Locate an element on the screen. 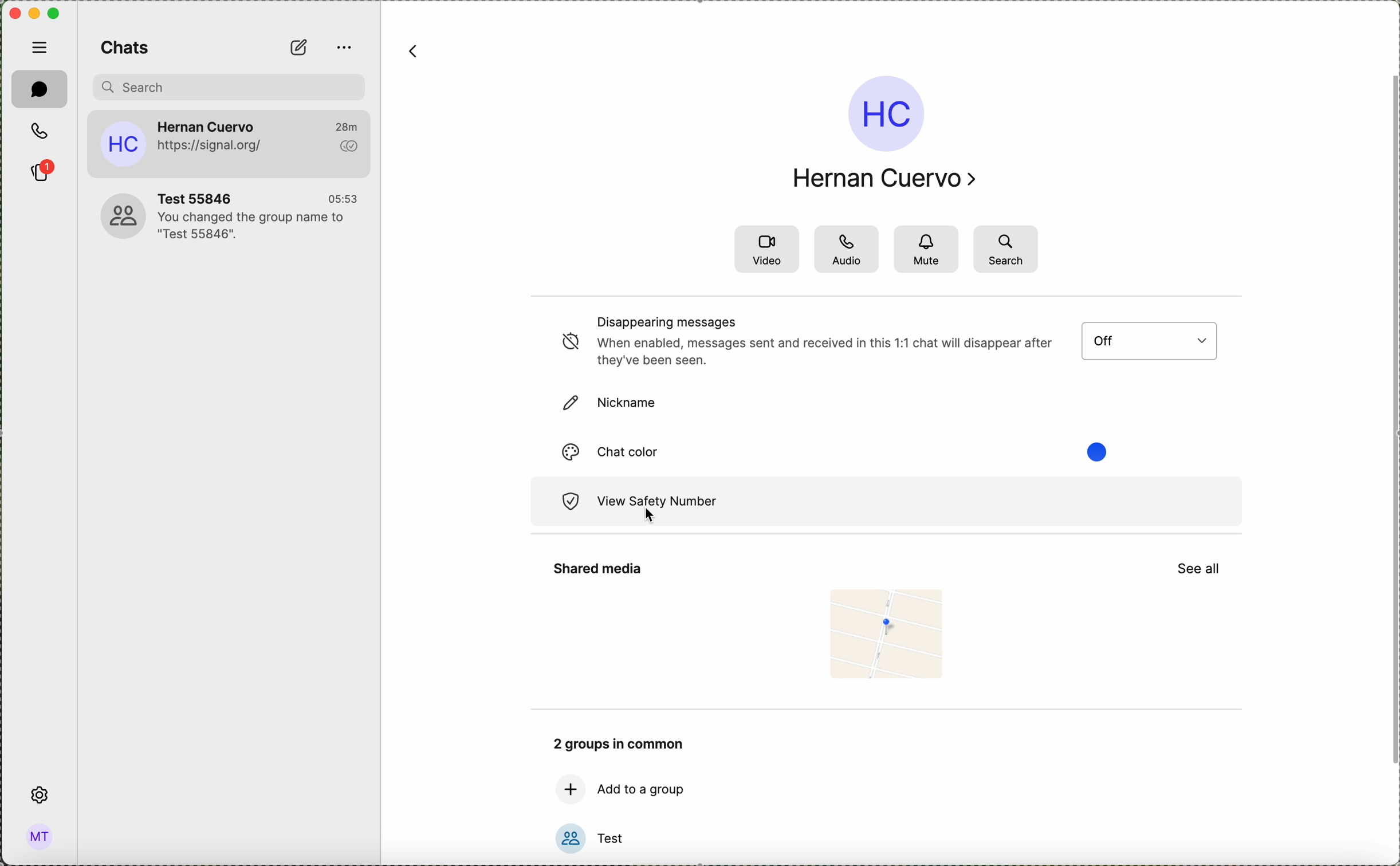 This screenshot has width=1400, height=866. chat color is located at coordinates (567, 453).